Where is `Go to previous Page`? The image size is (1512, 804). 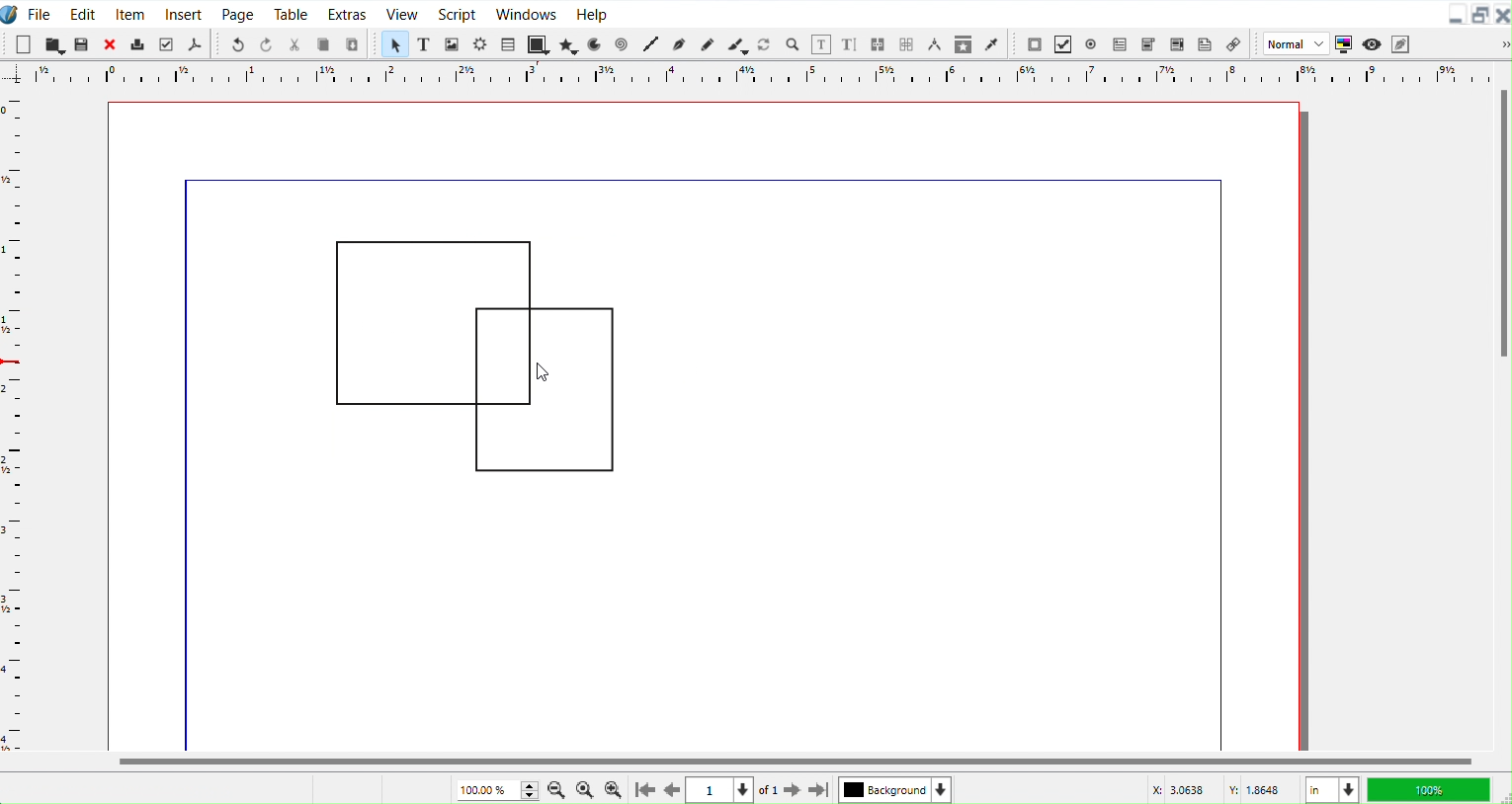 Go to previous Page is located at coordinates (673, 790).